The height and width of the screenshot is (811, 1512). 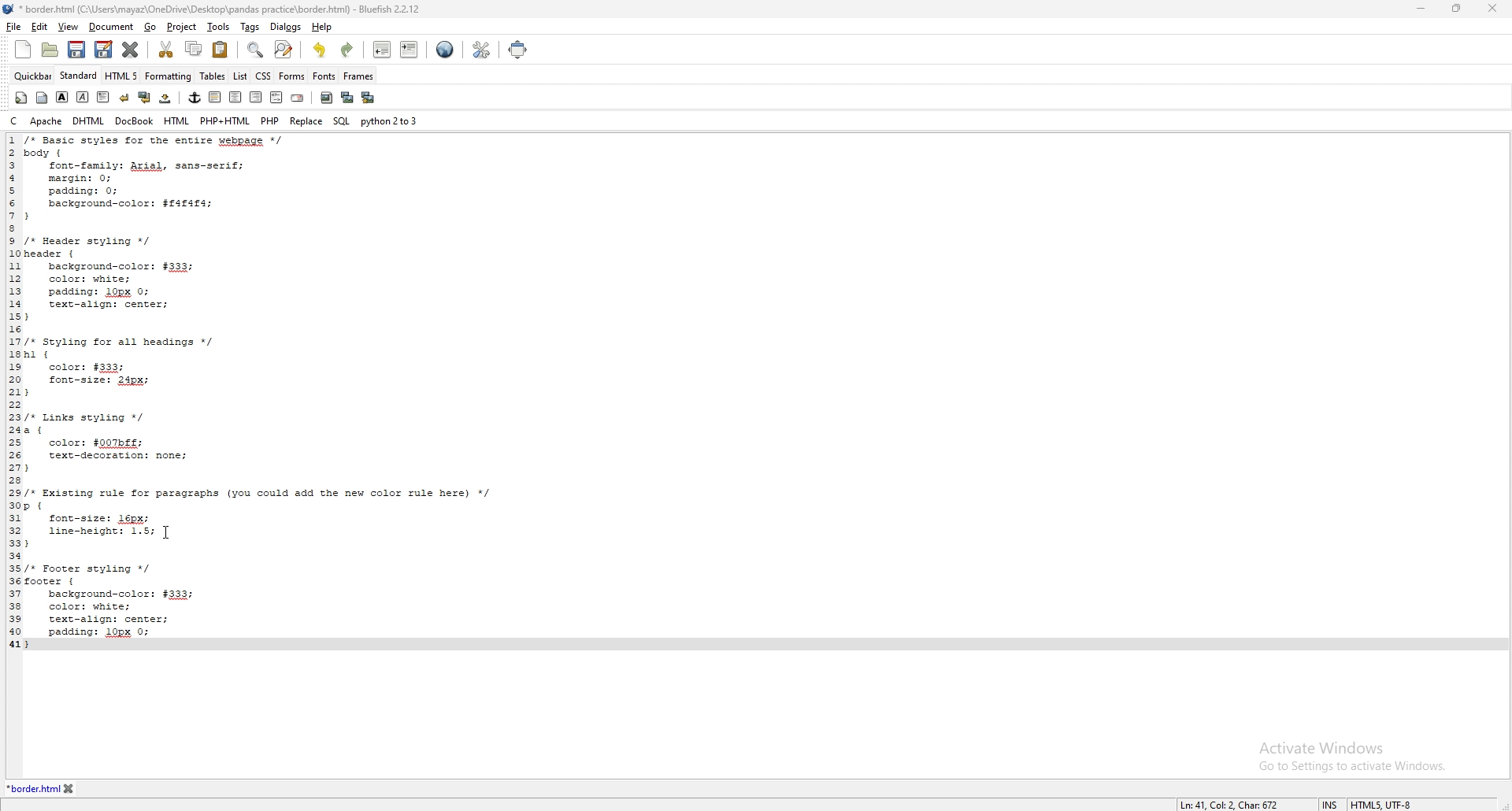 What do you see at coordinates (220, 49) in the screenshot?
I see `paste` at bounding box center [220, 49].